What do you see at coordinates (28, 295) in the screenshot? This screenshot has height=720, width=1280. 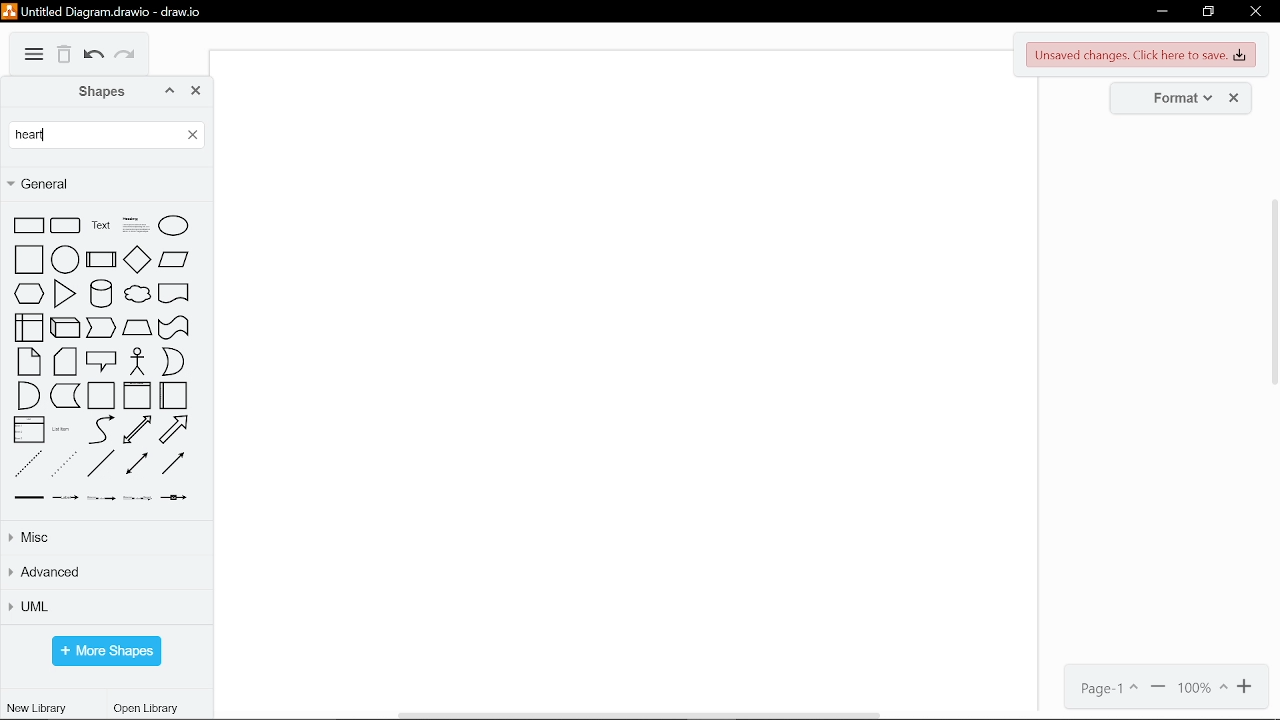 I see `hexagon` at bounding box center [28, 295].